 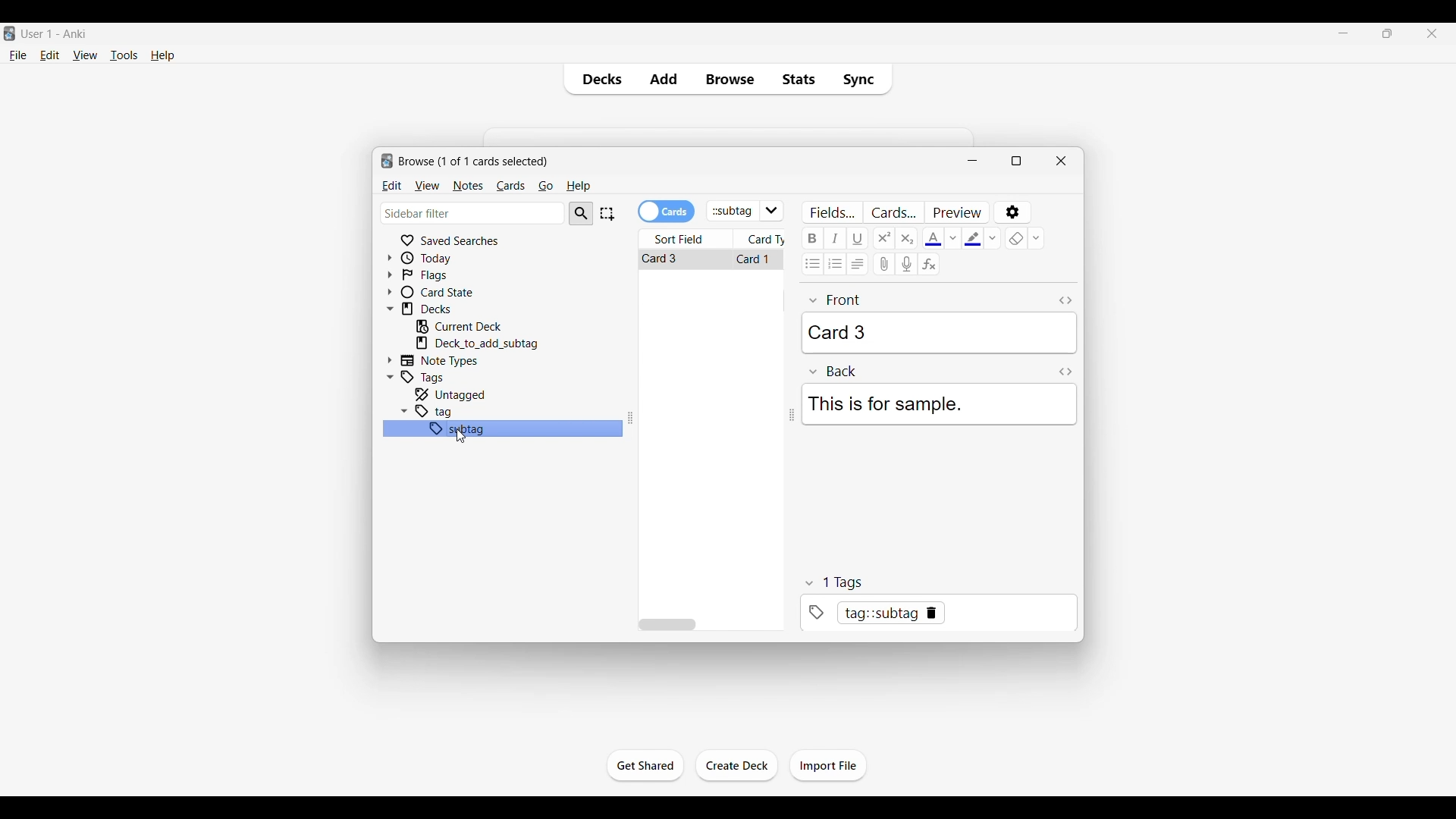 I want to click on Software logo, so click(x=11, y=33).